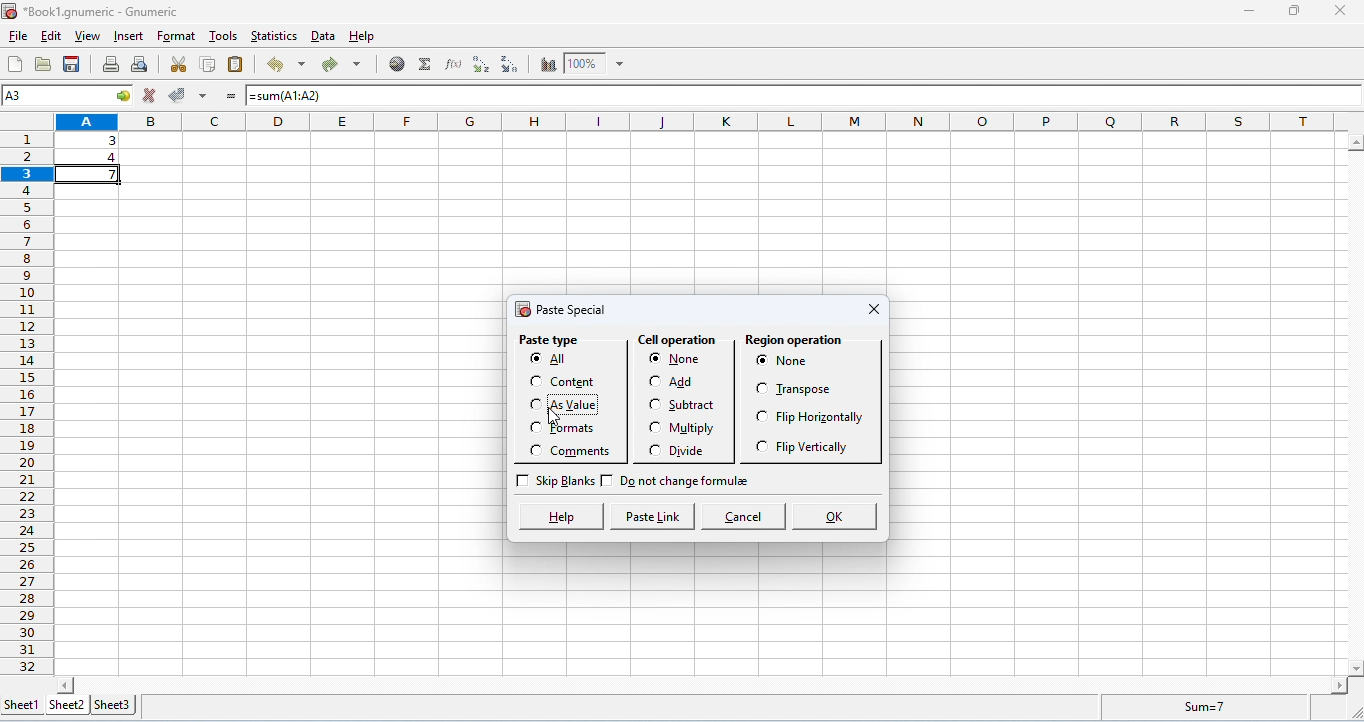 The height and width of the screenshot is (722, 1364). What do you see at coordinates (655, 359) in the screenshot?
I see `Checkbox` at bounding box center [655, 359].